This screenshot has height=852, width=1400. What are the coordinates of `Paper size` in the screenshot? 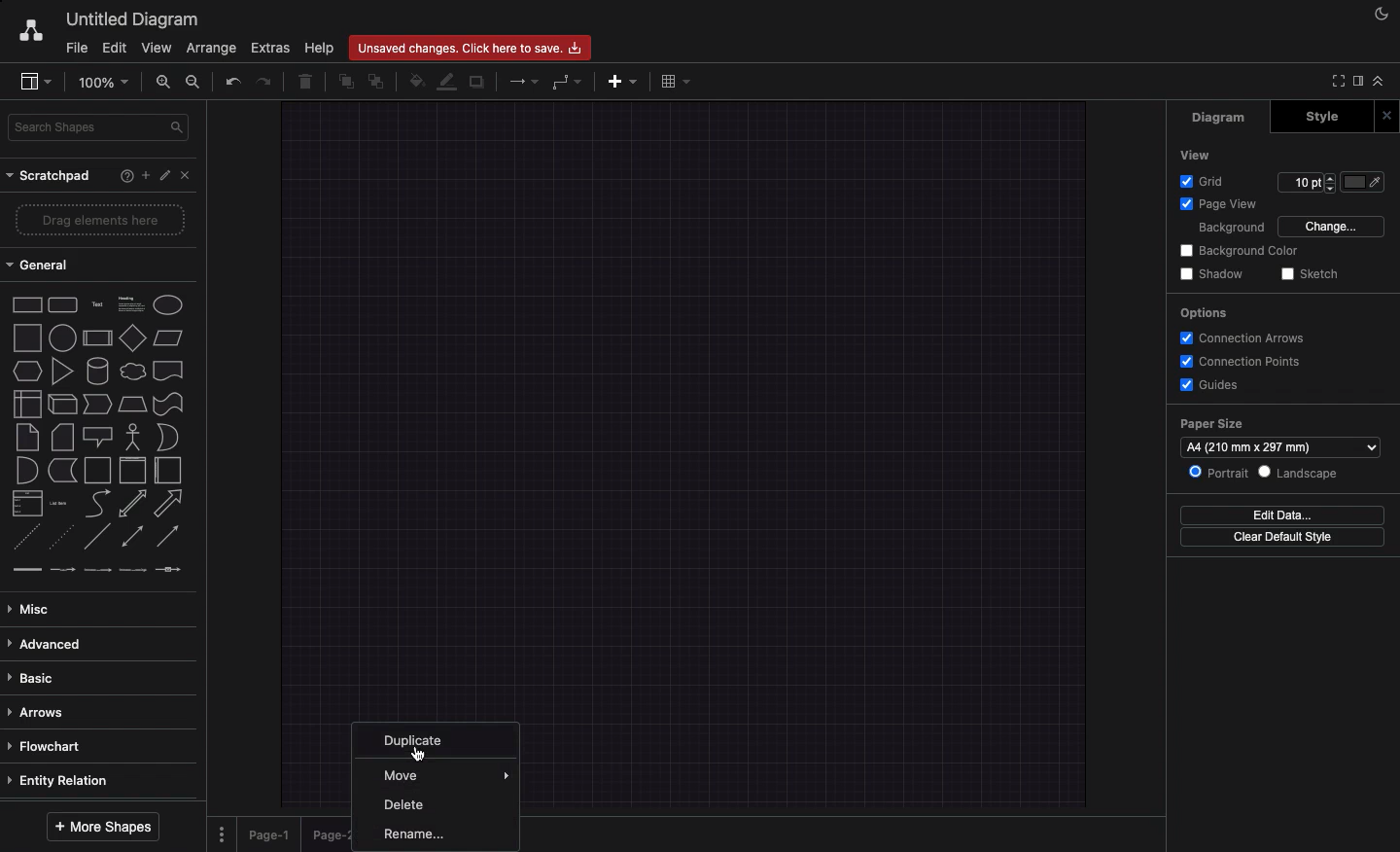 It's located at (1214, 424).